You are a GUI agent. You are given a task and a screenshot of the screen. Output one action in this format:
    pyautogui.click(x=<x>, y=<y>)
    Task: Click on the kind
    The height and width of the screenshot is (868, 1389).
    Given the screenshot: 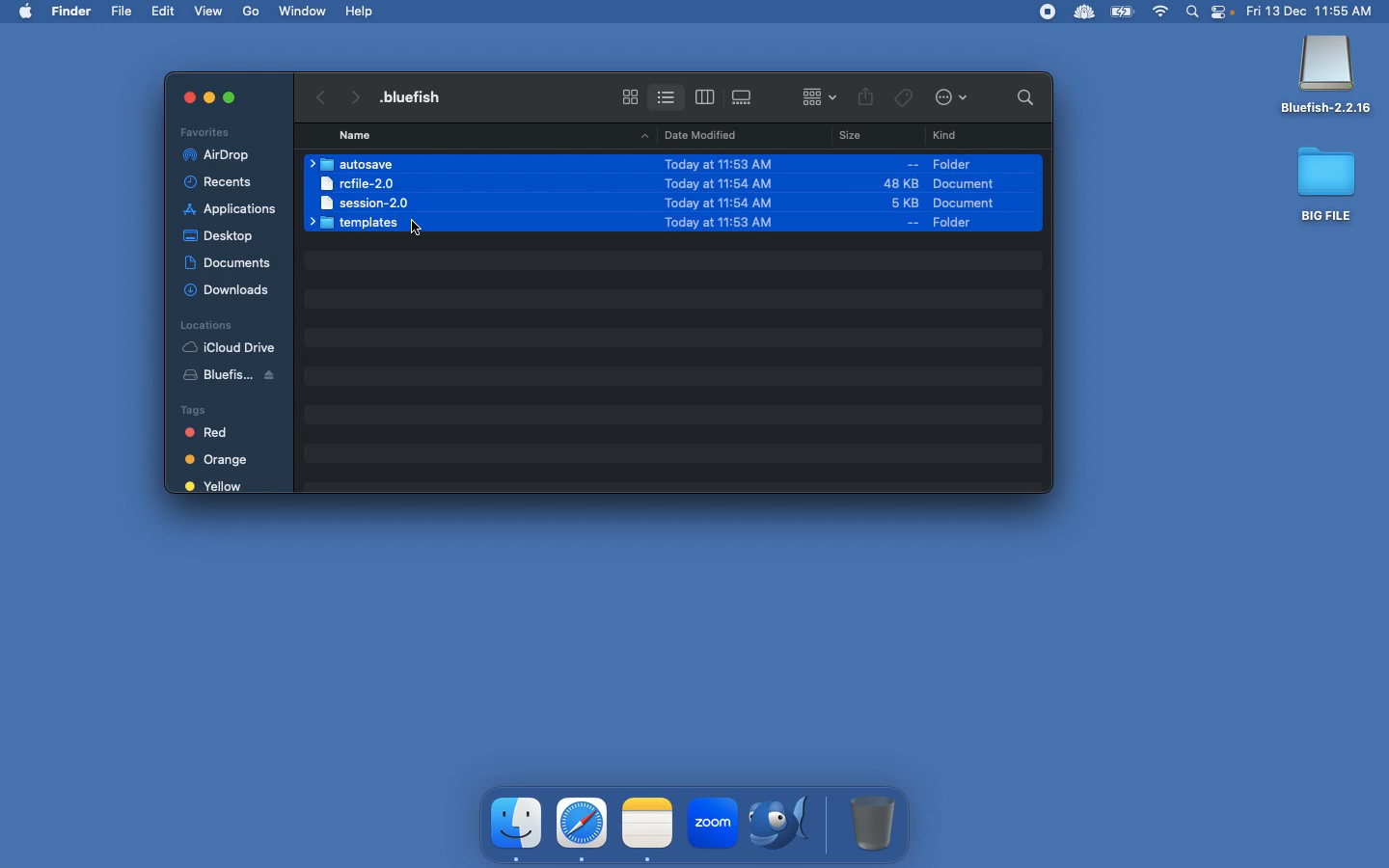 What is the action you would take?
    pyautogui.click(x=949, y=136)
    